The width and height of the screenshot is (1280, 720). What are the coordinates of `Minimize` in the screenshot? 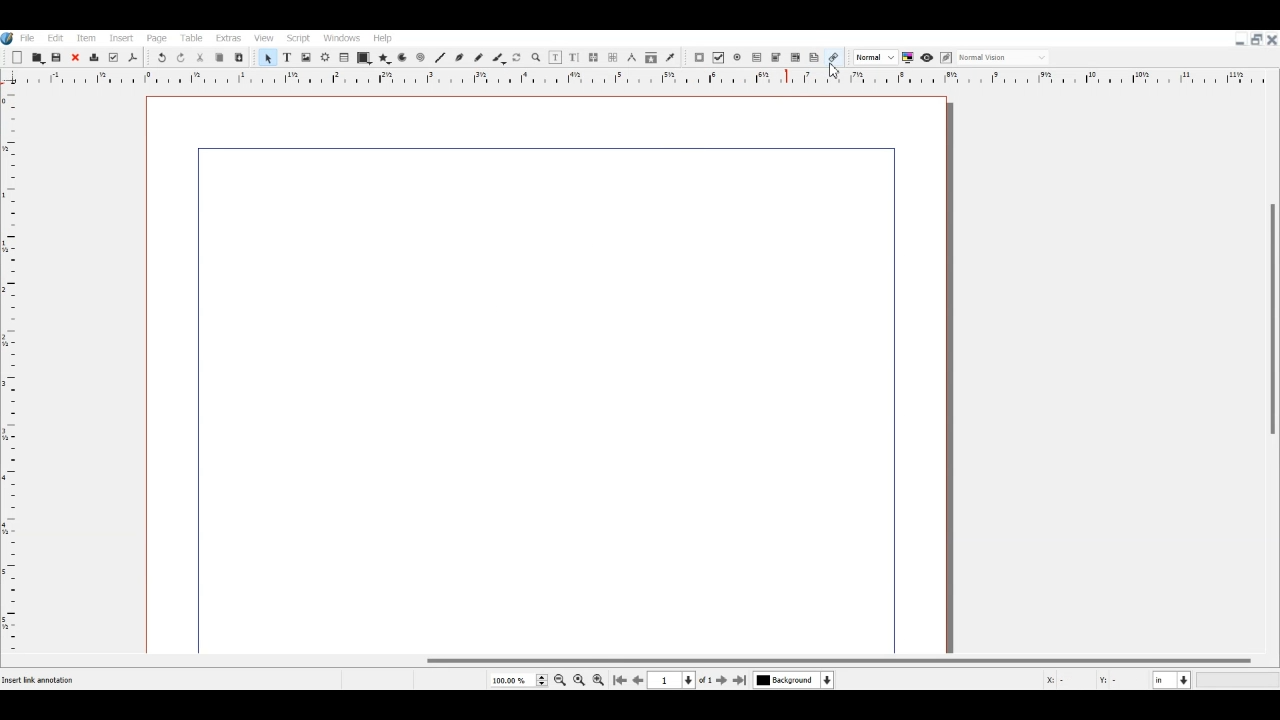 It's located at (1240, 40).